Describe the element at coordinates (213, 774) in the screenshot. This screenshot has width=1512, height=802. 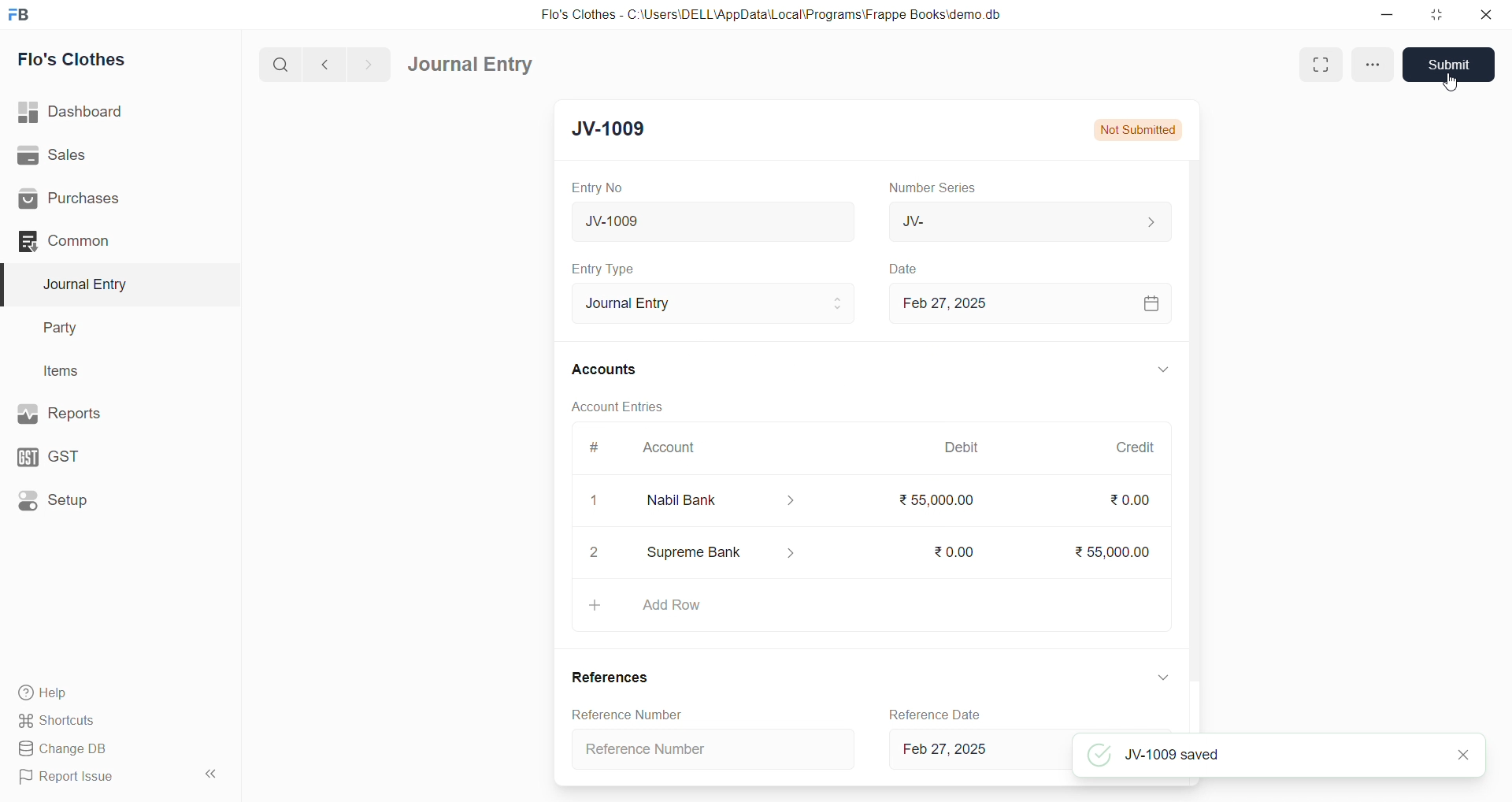
I see `collapse sidebar` at that location.